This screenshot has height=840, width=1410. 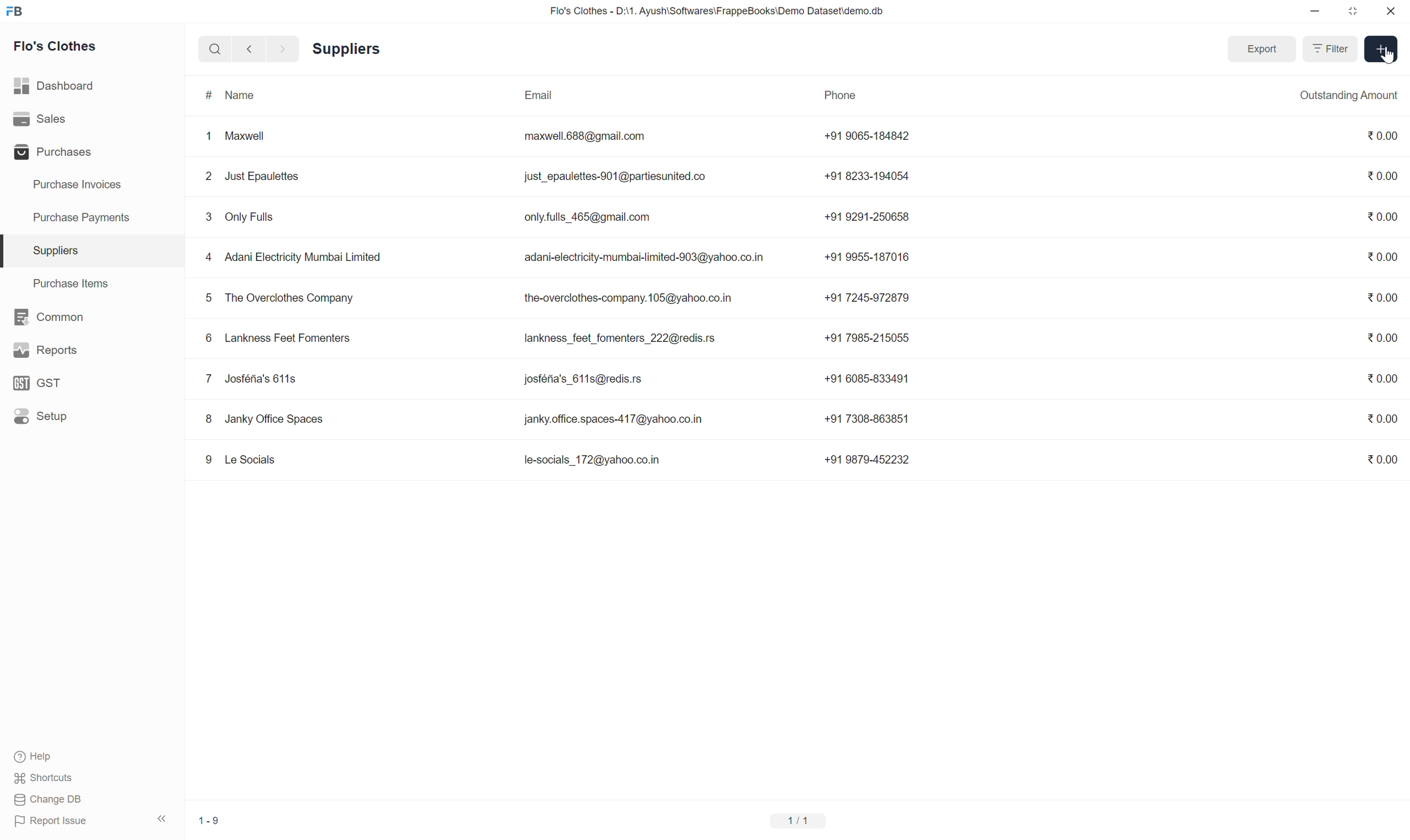 I want to click on the-overclothes-company.105@yahoo.co.in, so click(x=628, y=298).